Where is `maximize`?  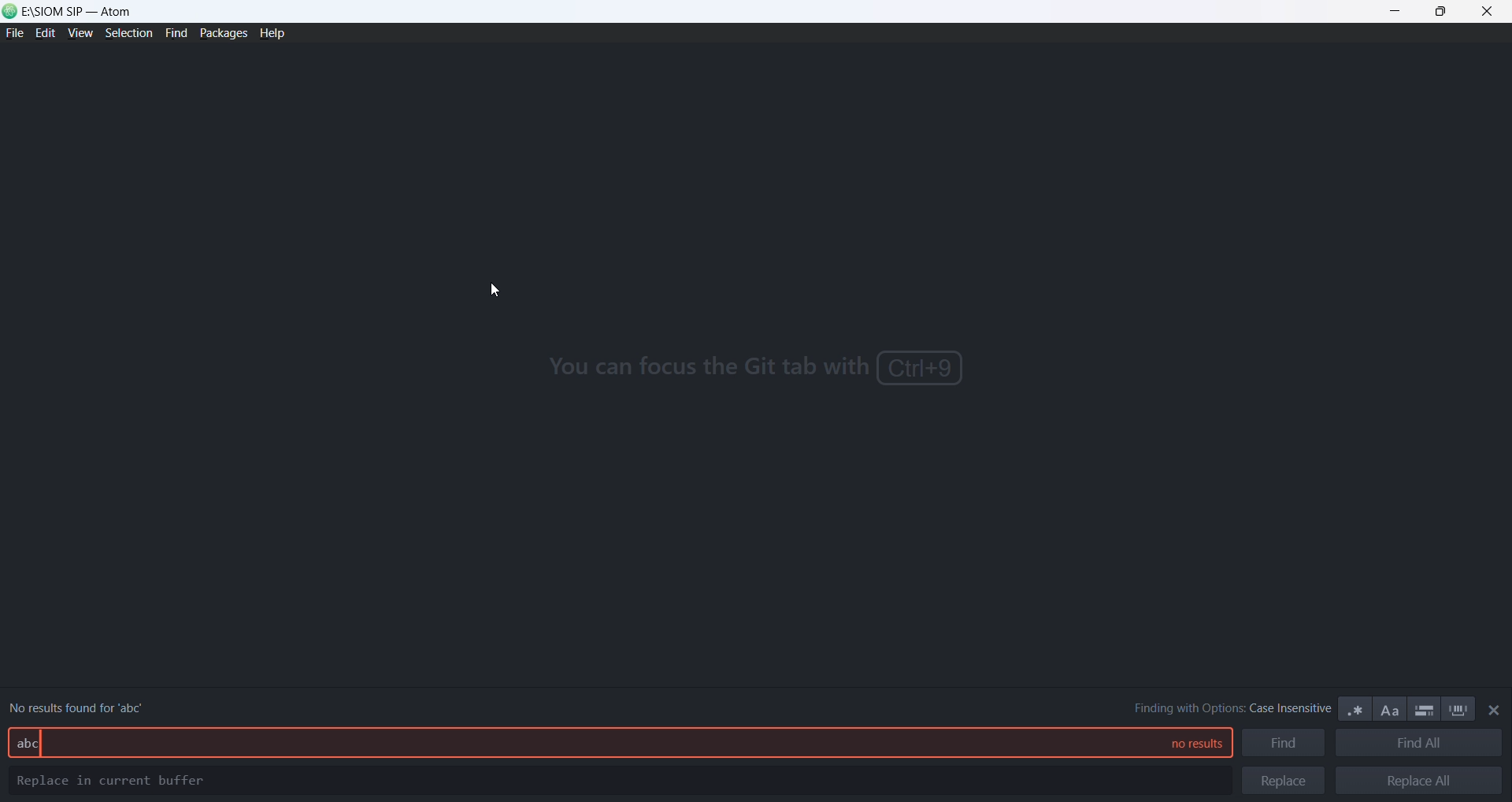
maximize is located at coordinates (1441, 13).